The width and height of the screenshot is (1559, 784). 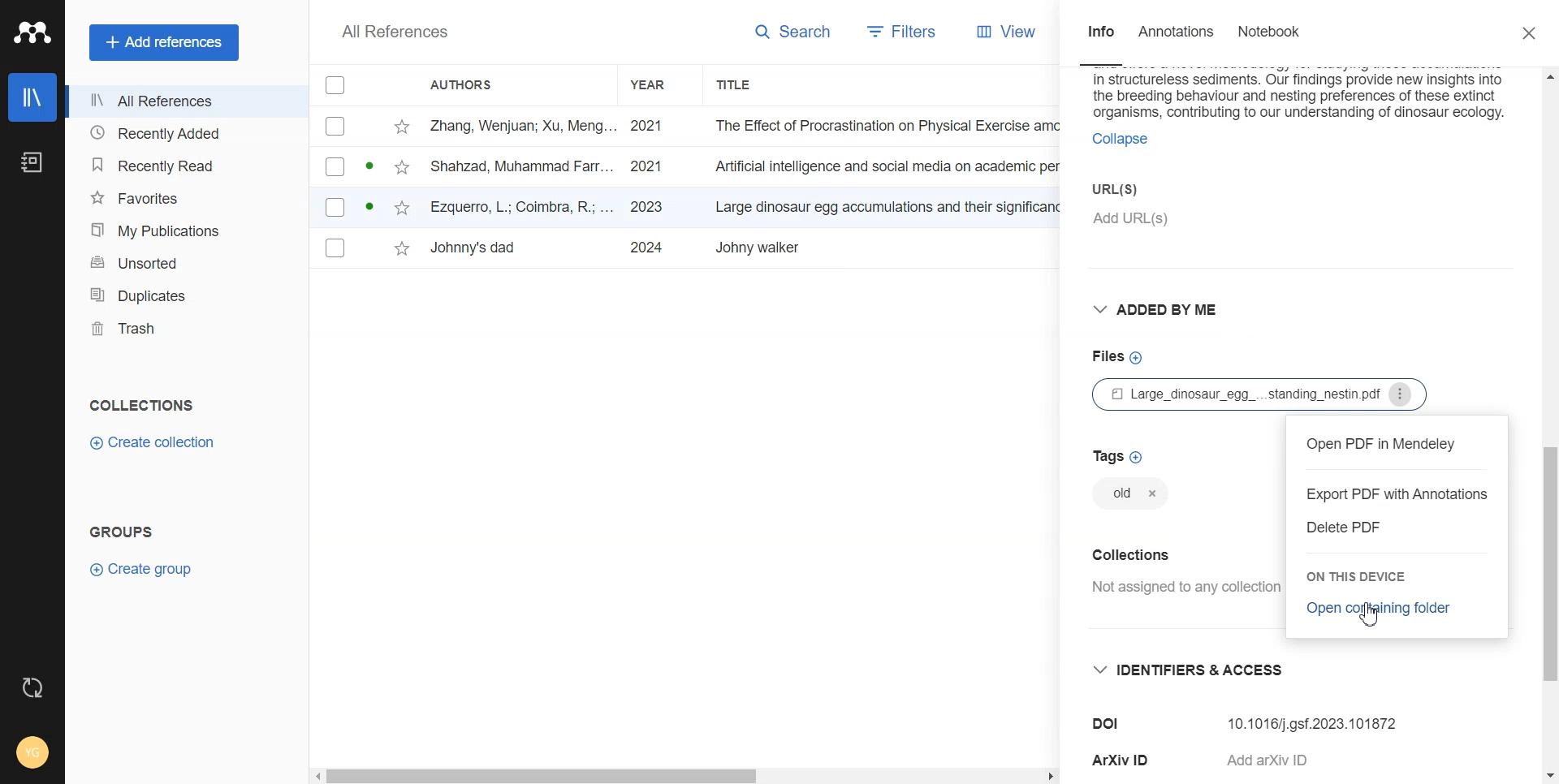 I want to click on PDF File, so click(x=1263, y=394).